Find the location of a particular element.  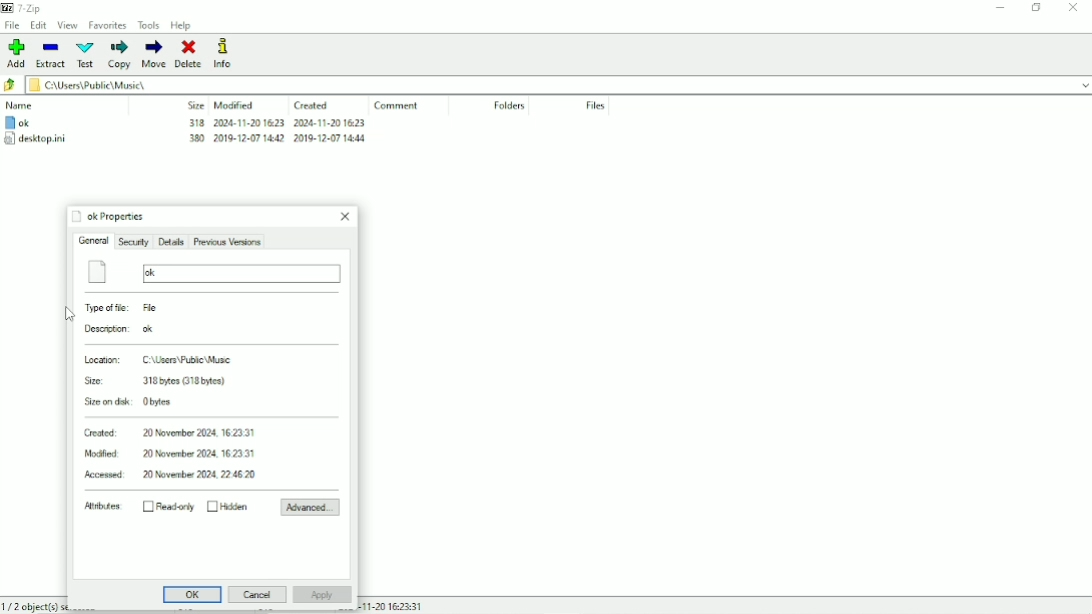

OK is located at coordinates (192, 594).